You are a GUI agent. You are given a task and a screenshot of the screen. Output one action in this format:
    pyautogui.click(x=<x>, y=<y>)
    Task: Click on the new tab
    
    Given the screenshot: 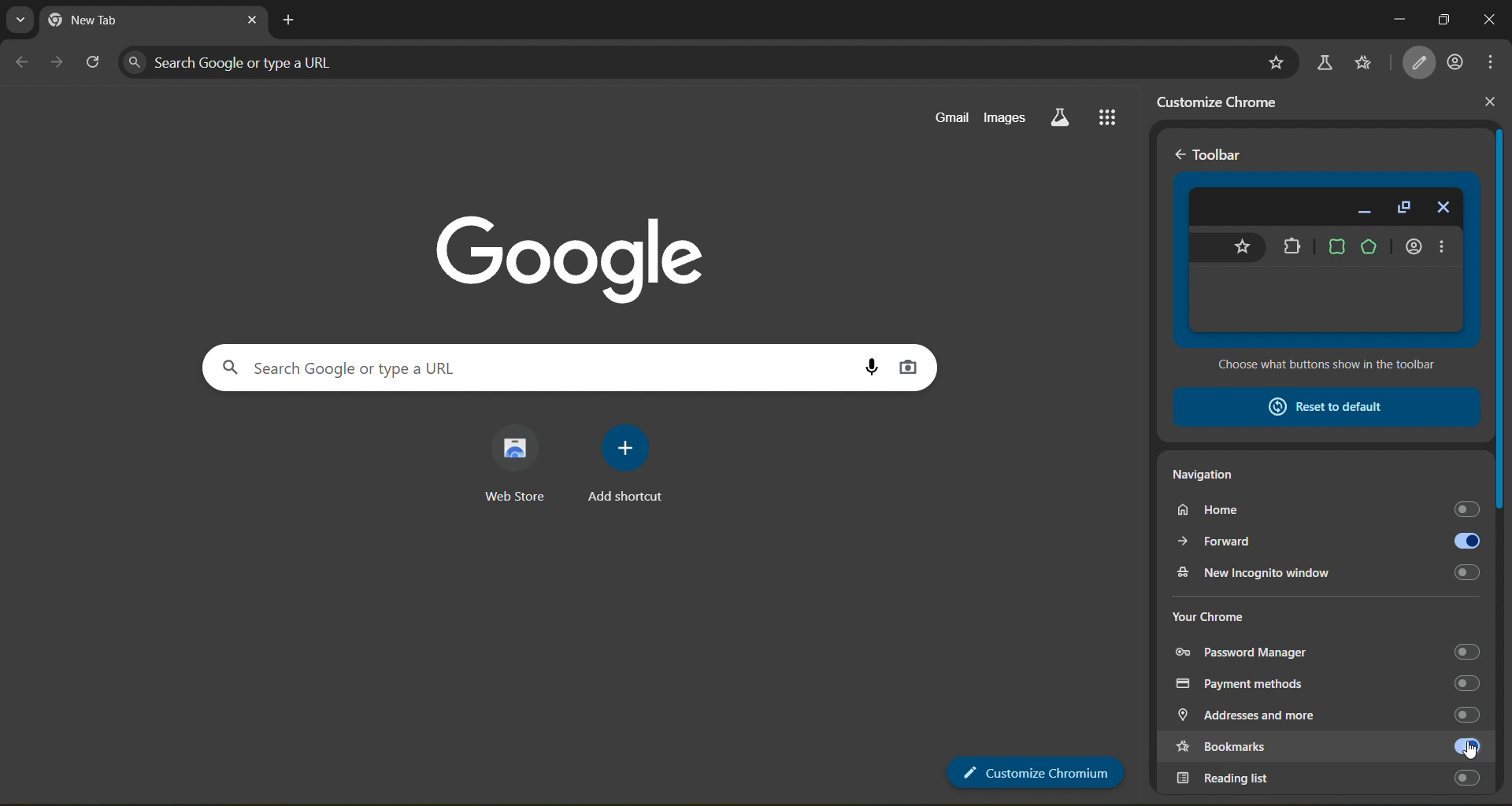 What is the action you would take?
    pyautogui.click(x=291, y=21)
    